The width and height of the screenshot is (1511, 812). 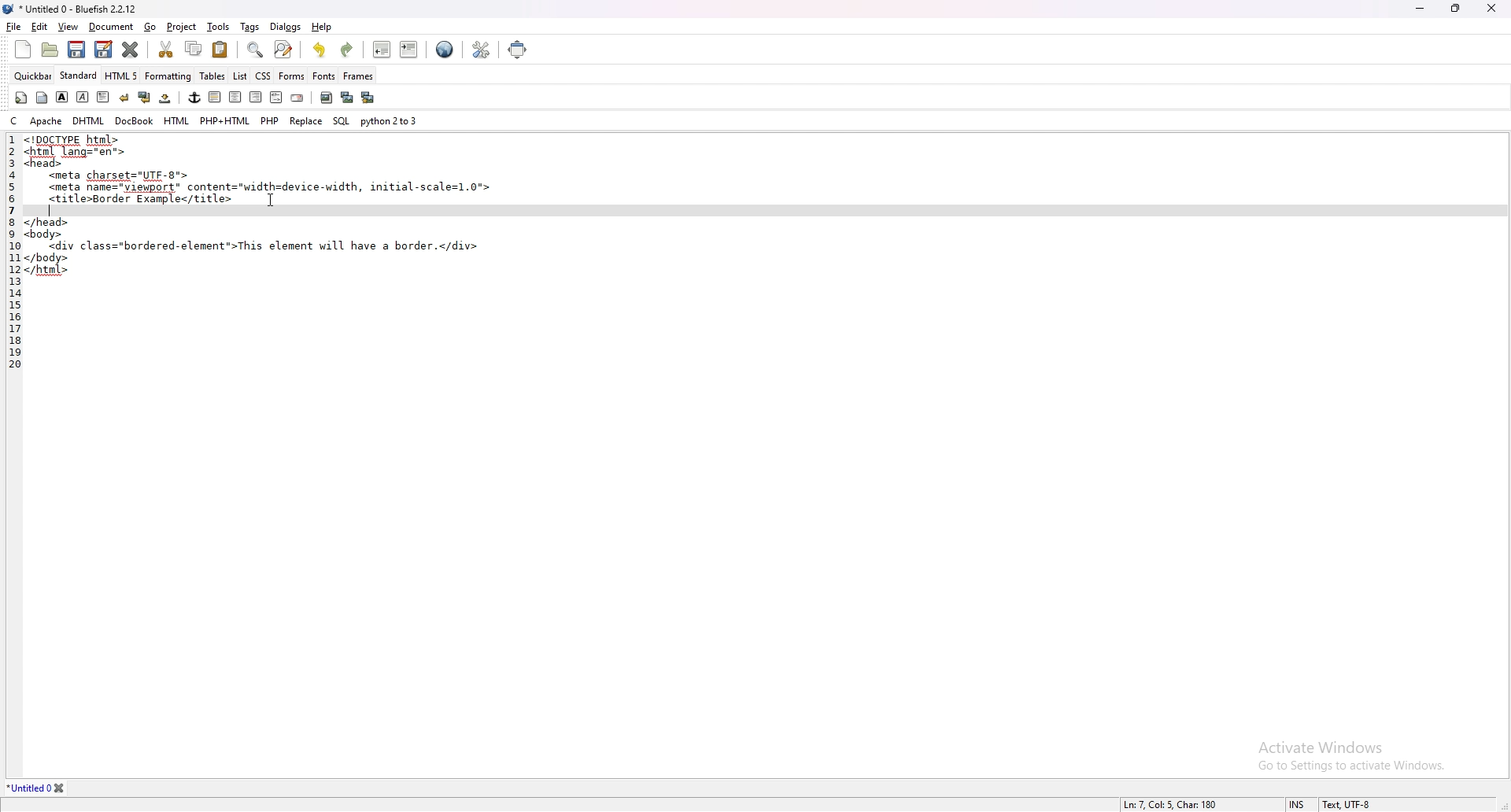 What do you see at coordinates (1422, 8) in the screenshot?
I see `minimize` at bounding box center [1422, 8].